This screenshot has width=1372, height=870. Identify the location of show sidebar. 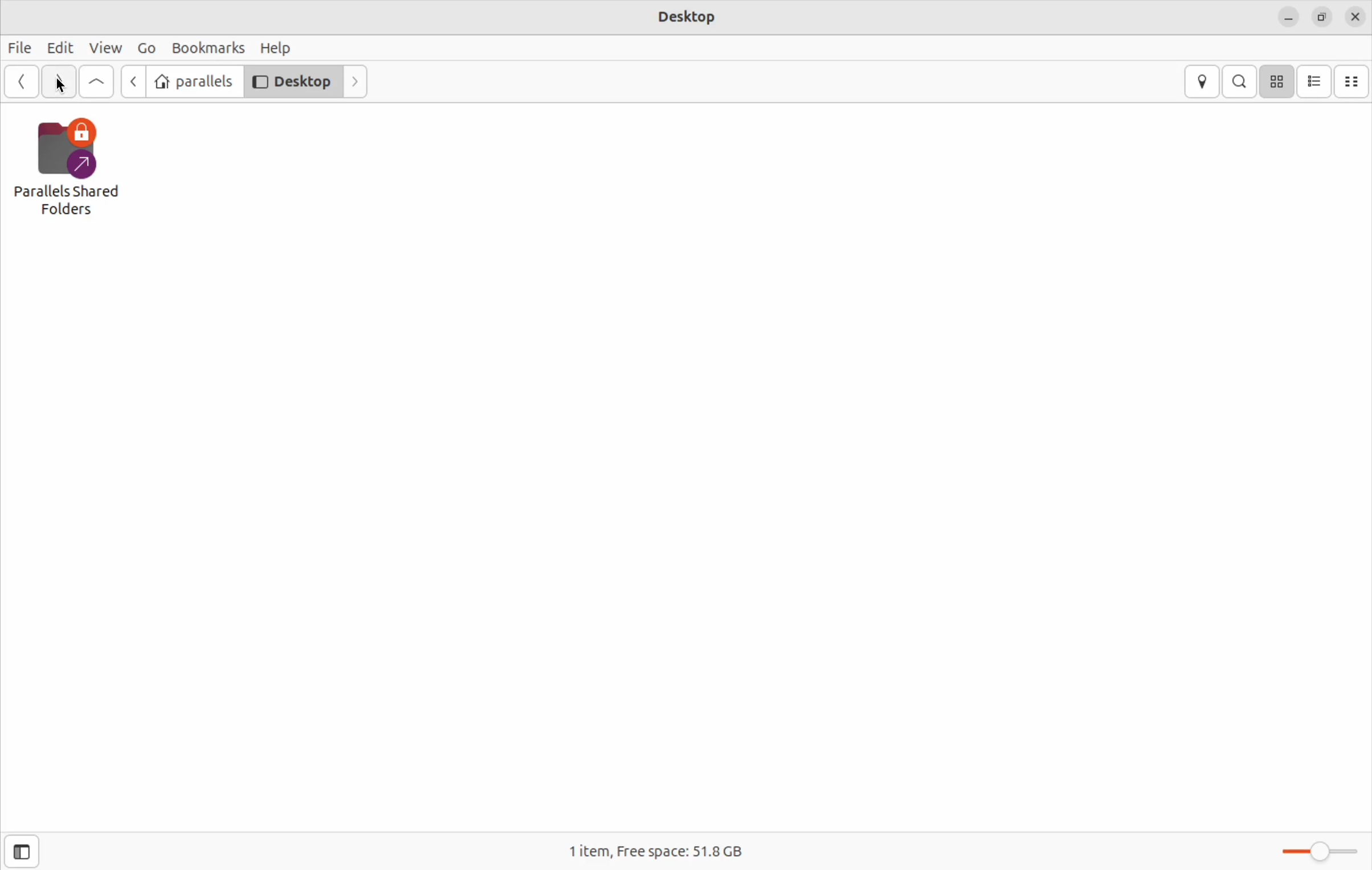
(19, 852).